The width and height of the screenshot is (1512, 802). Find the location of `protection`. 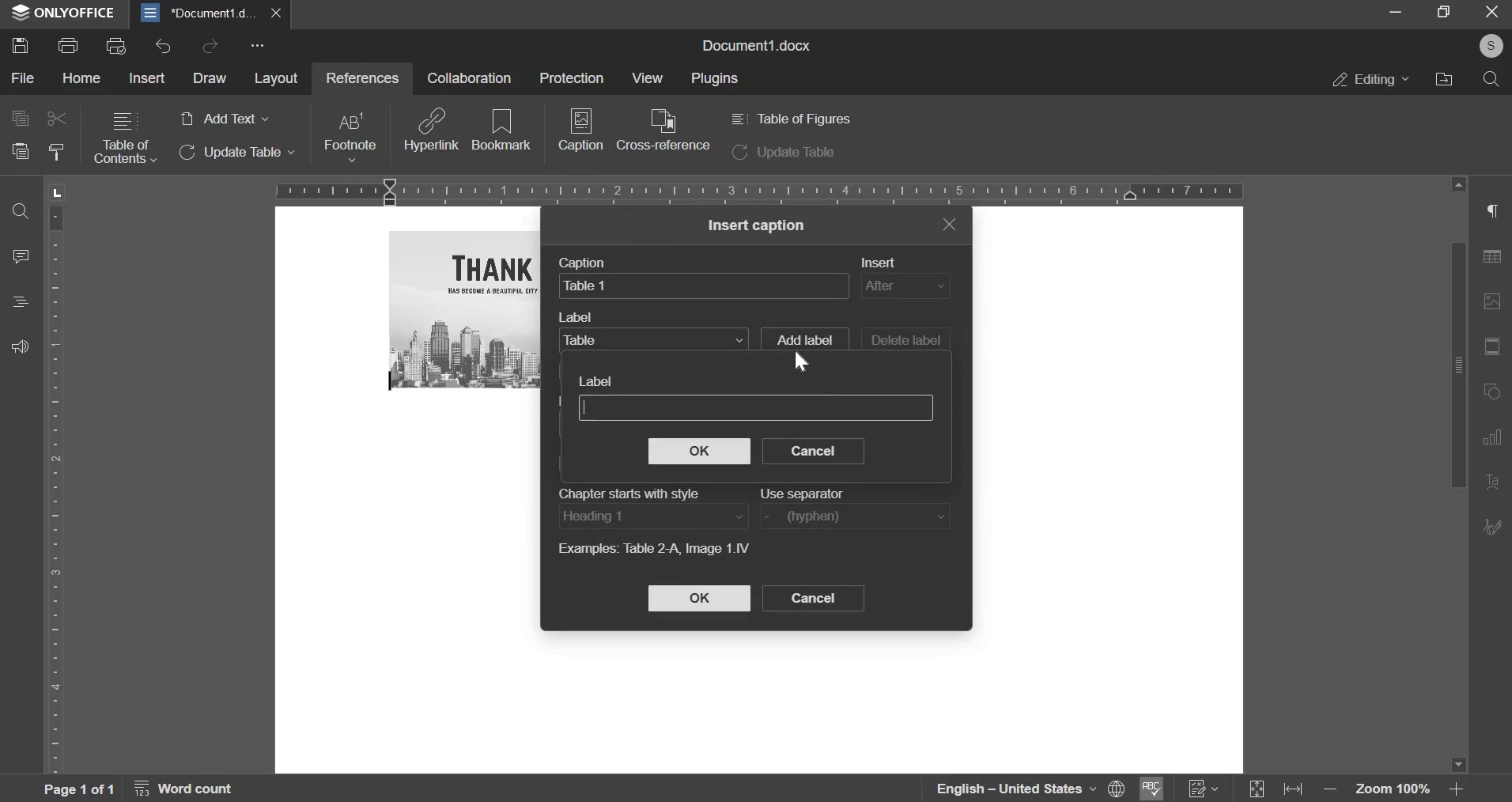

protection is located at coordinates (571, 77).